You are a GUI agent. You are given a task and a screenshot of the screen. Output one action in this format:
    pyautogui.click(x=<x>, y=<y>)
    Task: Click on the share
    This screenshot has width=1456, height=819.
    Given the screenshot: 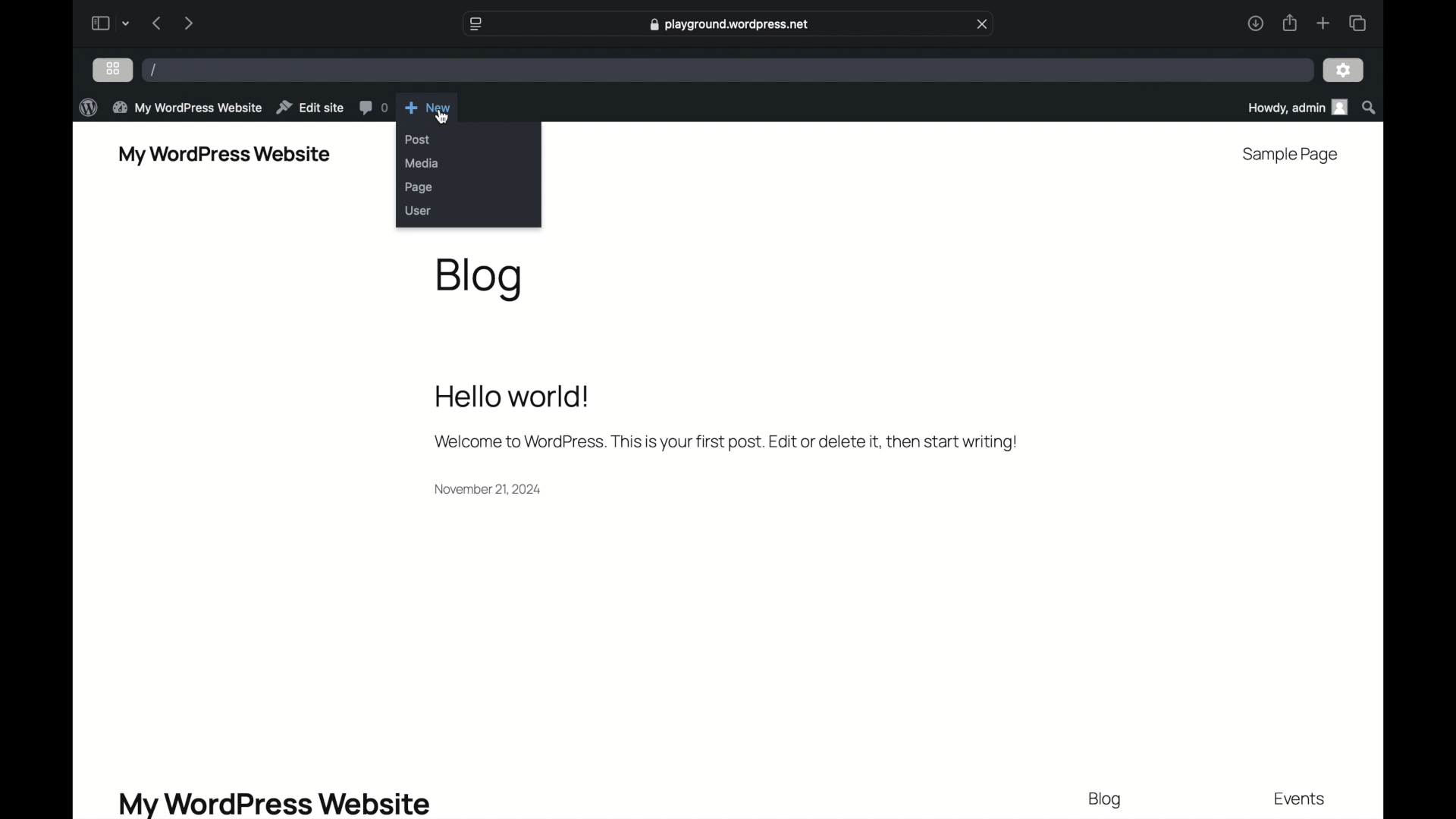 What is the action you would take?
    pyautogui.click(x=1288, y=23)
    